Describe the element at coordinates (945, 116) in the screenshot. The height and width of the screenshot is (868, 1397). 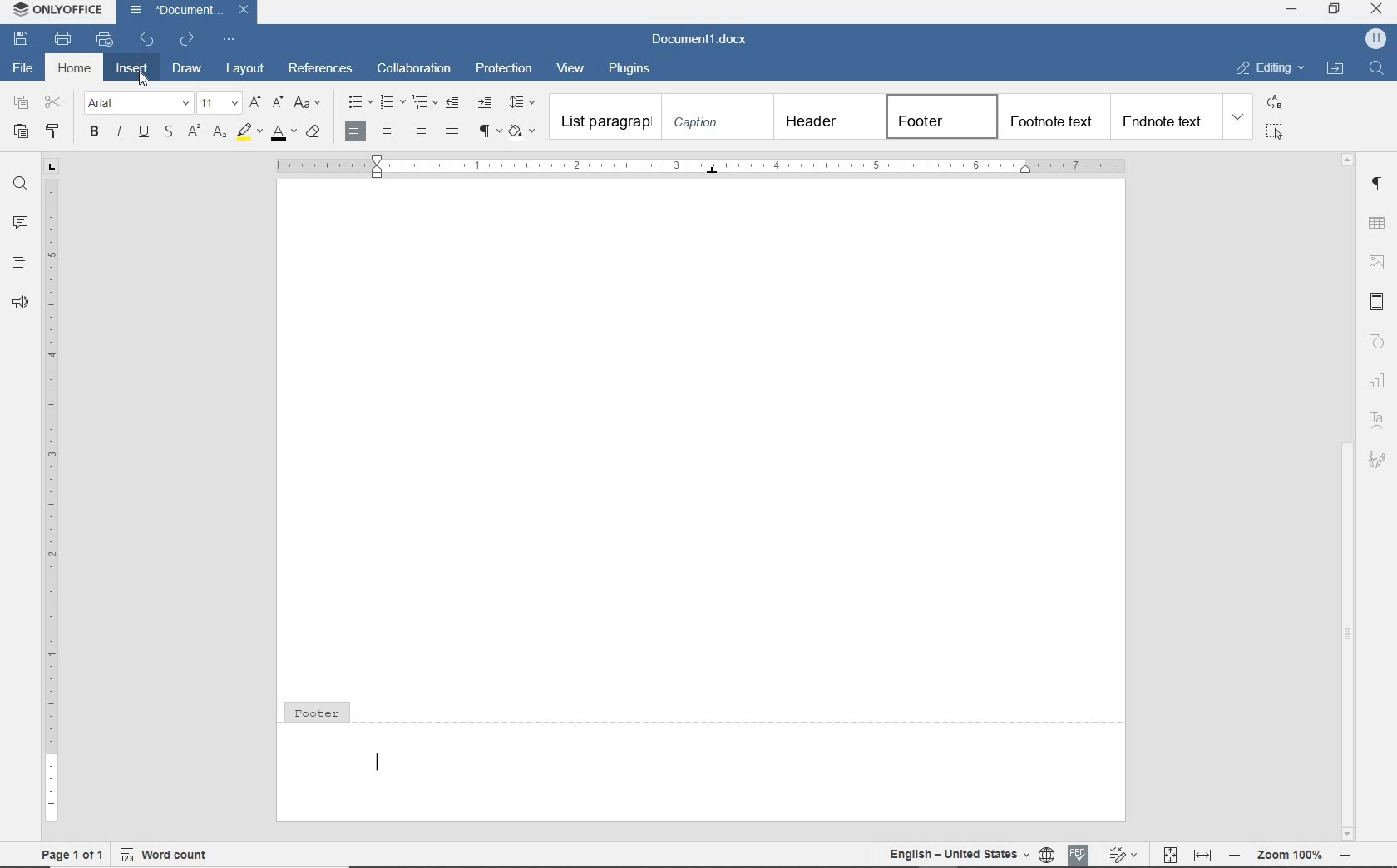
I see `footer` at that location.